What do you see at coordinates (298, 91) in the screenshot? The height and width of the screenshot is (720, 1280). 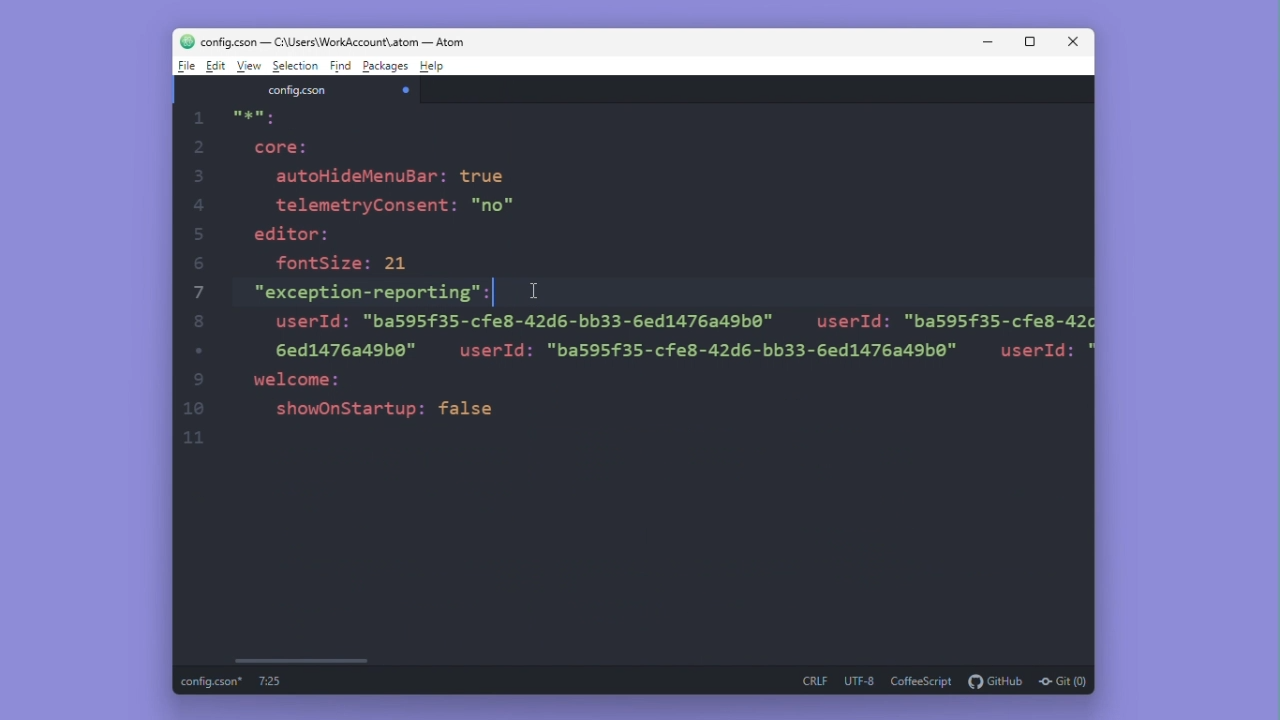 I see `File name` at bounding box center [298, 91].